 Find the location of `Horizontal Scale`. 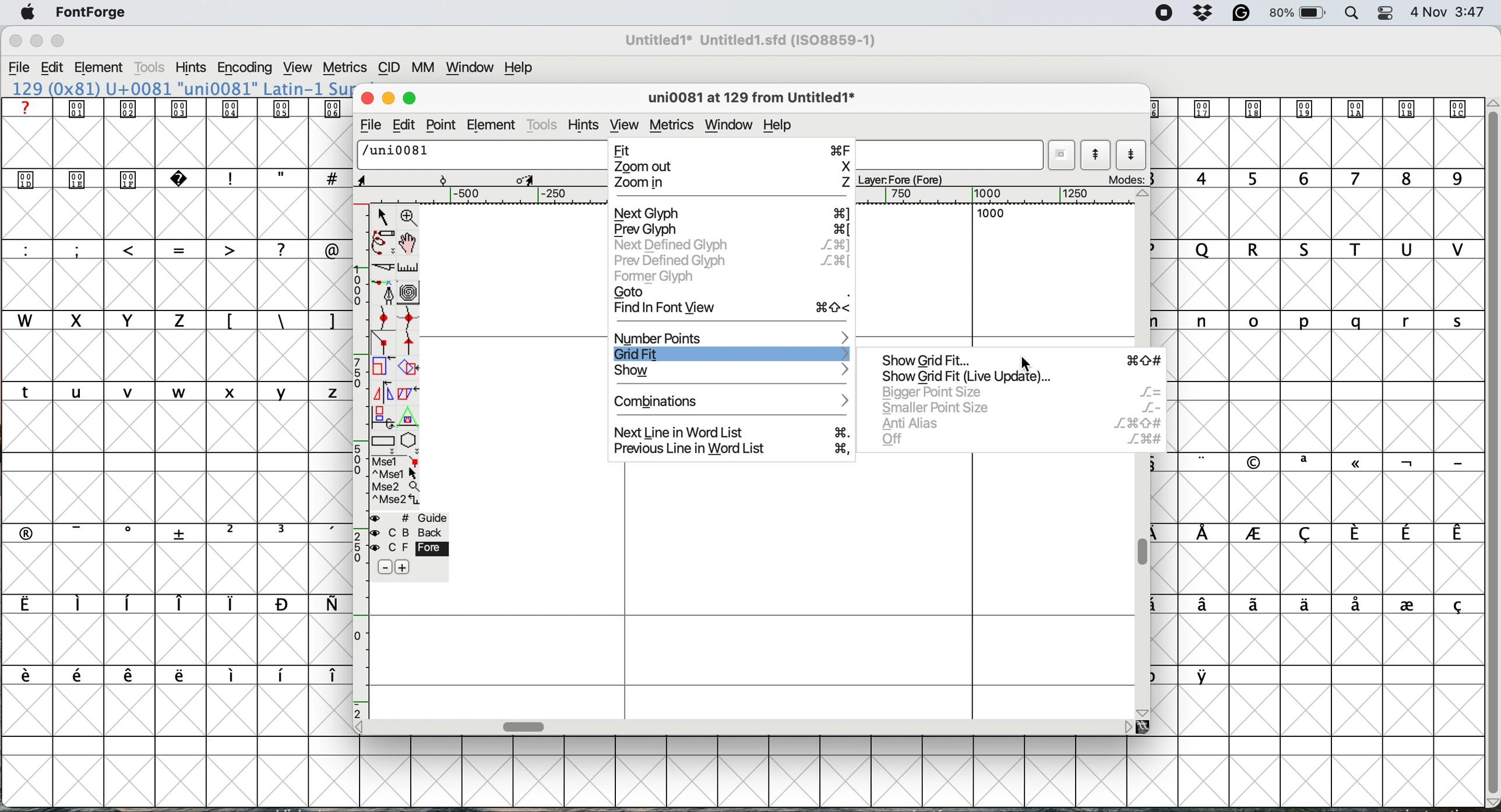

Horizontal Scale is located at coordinates (746, 196).